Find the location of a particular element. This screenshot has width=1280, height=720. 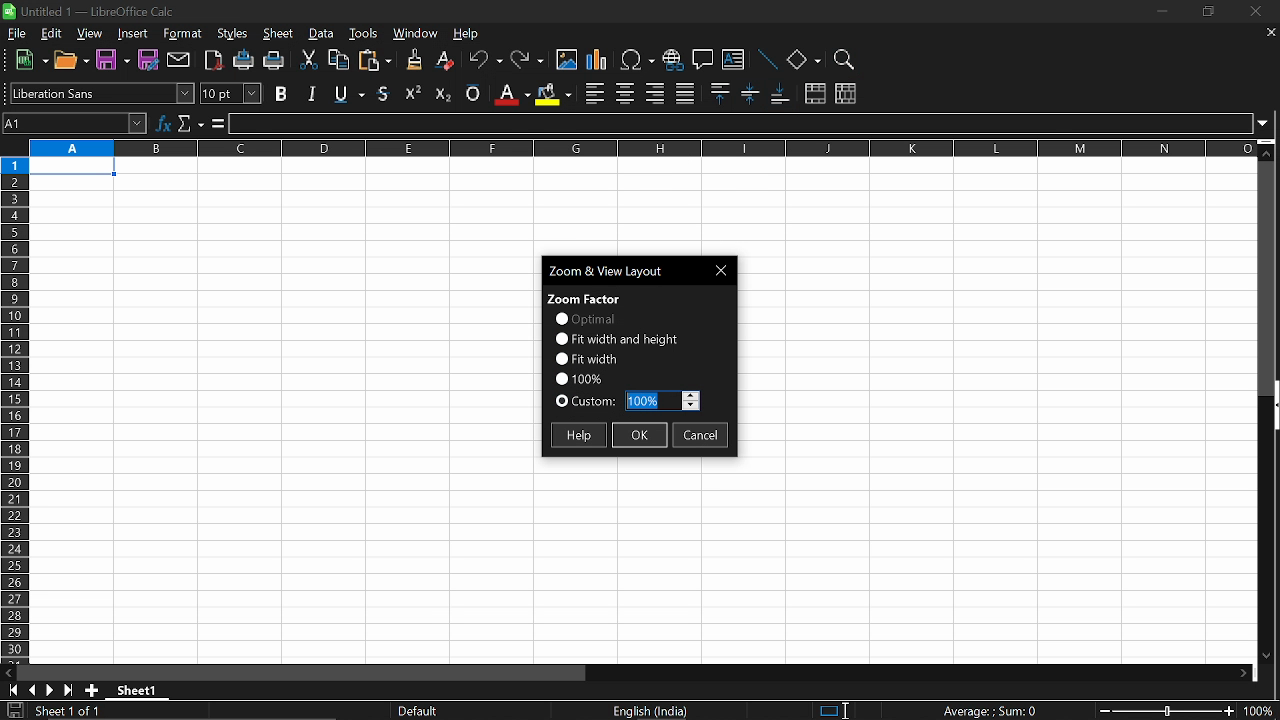

help is located at coordinates (468, 36).